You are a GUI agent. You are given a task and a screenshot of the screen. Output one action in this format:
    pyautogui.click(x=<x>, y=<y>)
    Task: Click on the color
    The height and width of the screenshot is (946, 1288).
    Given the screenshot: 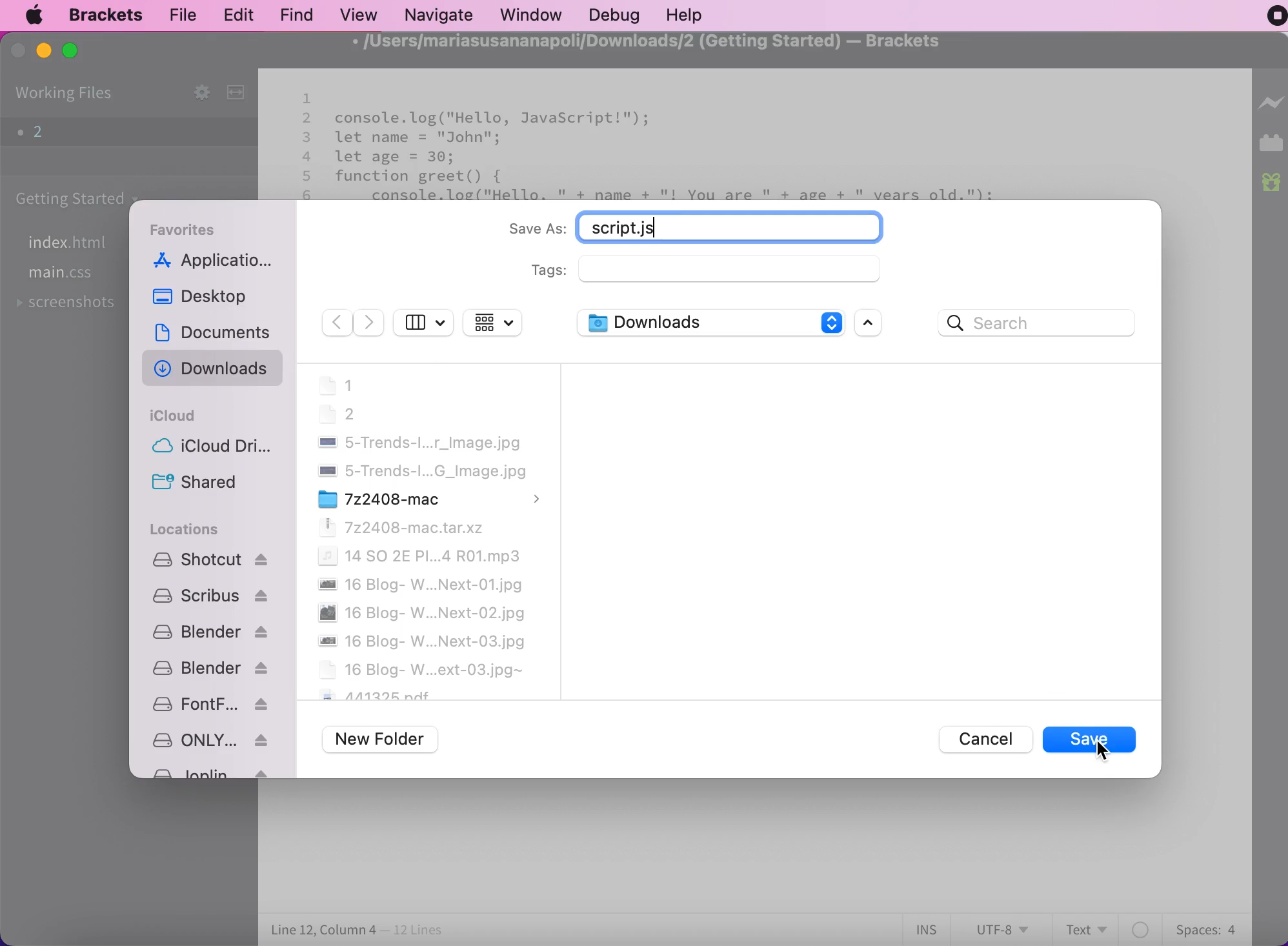 What is the action you would take?
    pyautogui.click(x=1142, y=929)
    